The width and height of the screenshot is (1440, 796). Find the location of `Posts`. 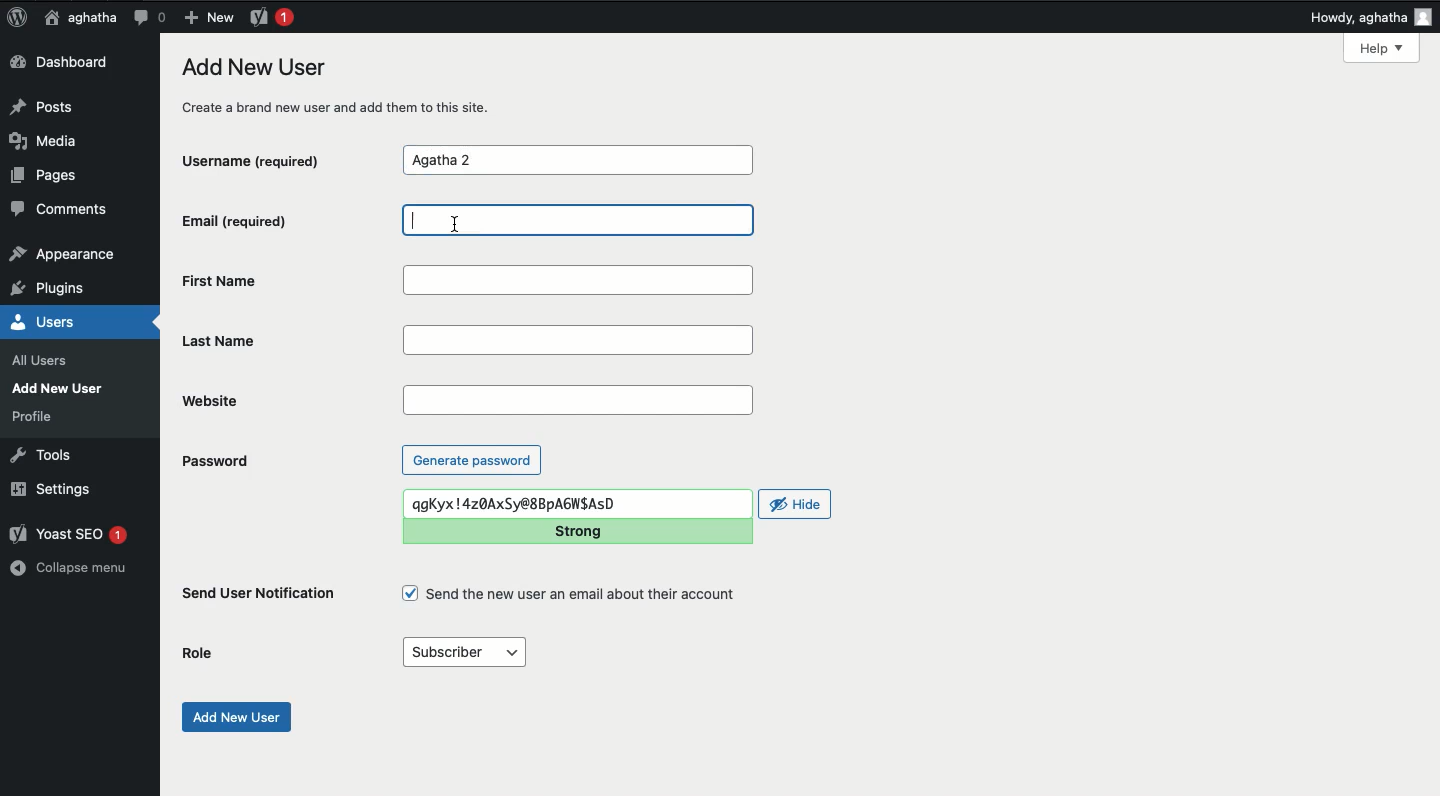

Posts is located at coordinates (47, 105).